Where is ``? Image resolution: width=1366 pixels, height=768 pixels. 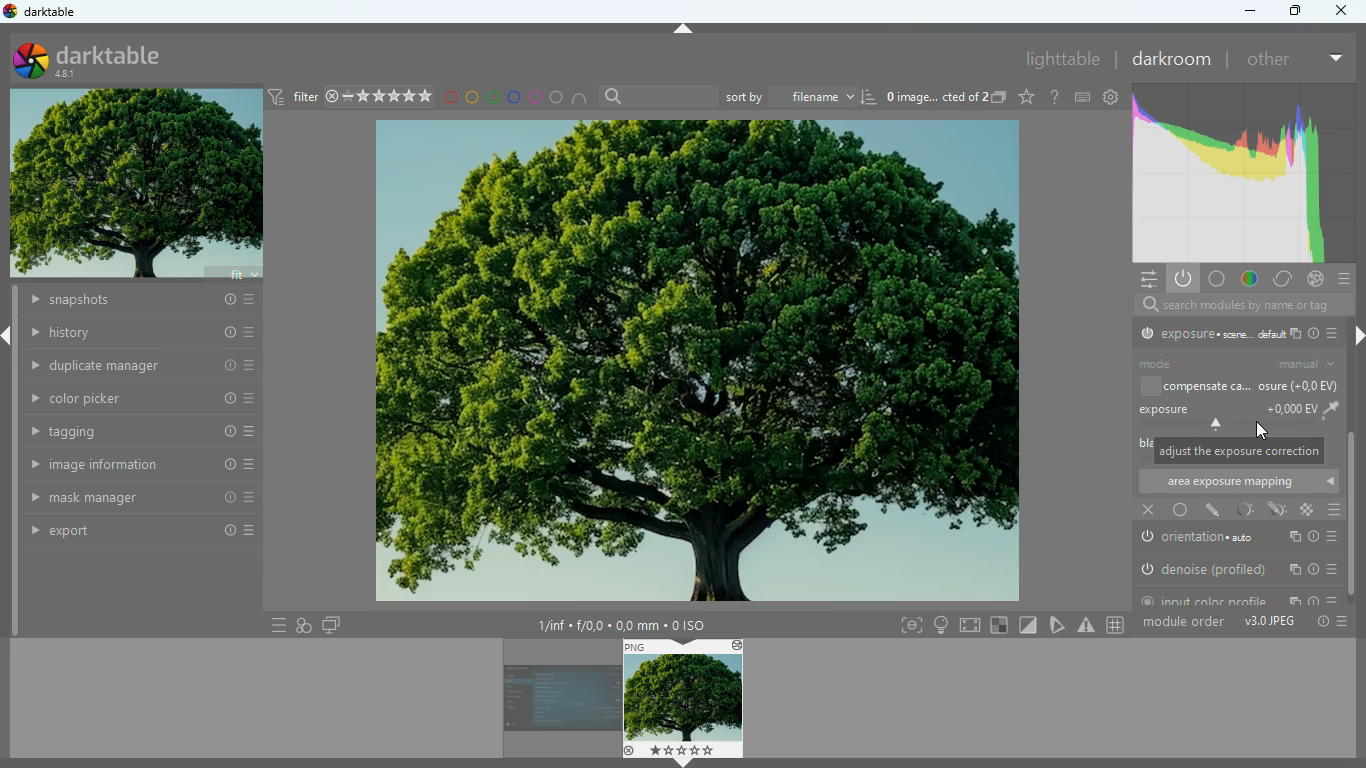  is located at coordinates (1028, 625).